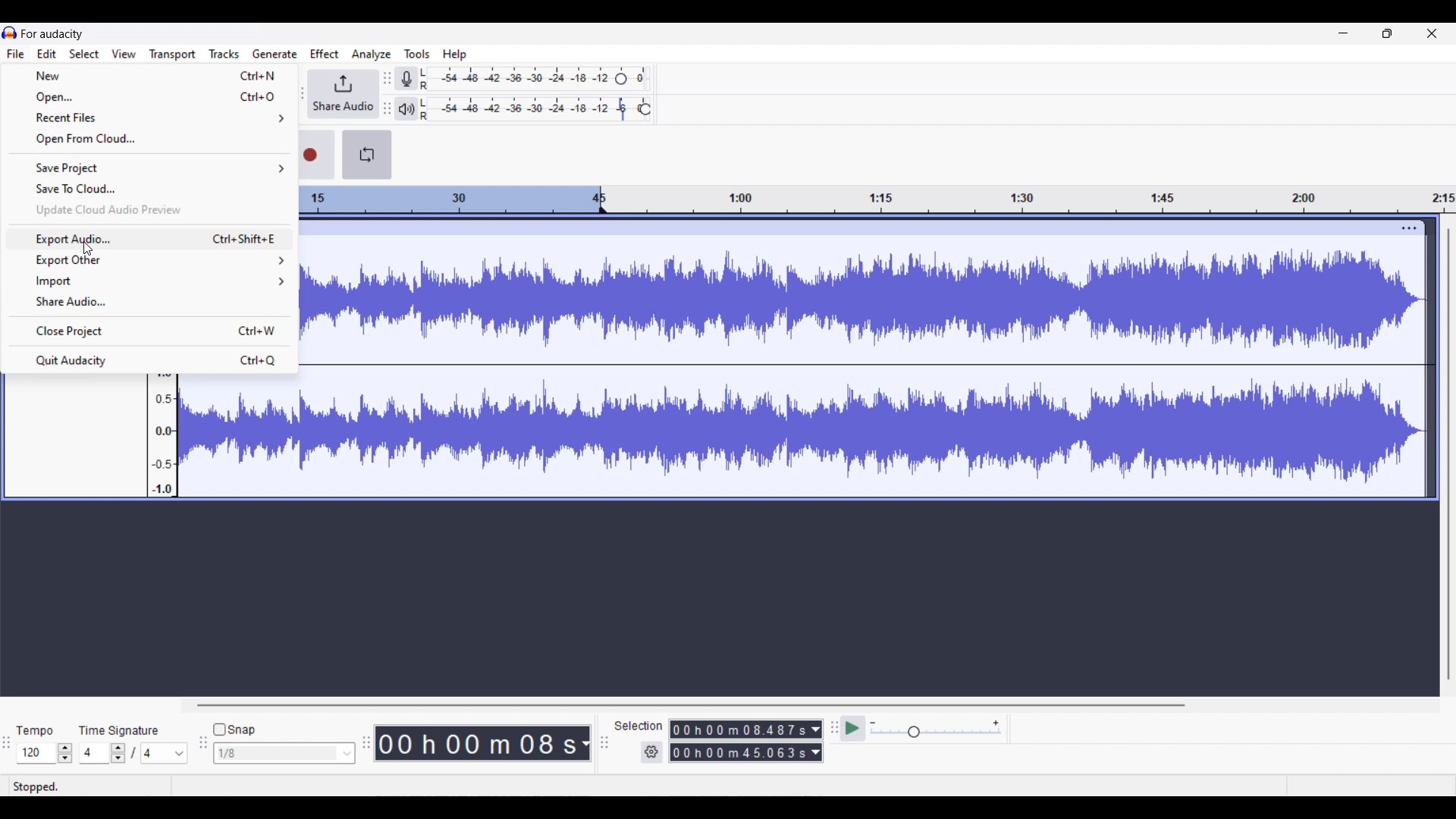 The width and height of the screenshot is (1456, 819). What do you see at coordinates (645, 109) in the screenshot?
I see `Header to change playback speed` at bounding box center [645, 109].